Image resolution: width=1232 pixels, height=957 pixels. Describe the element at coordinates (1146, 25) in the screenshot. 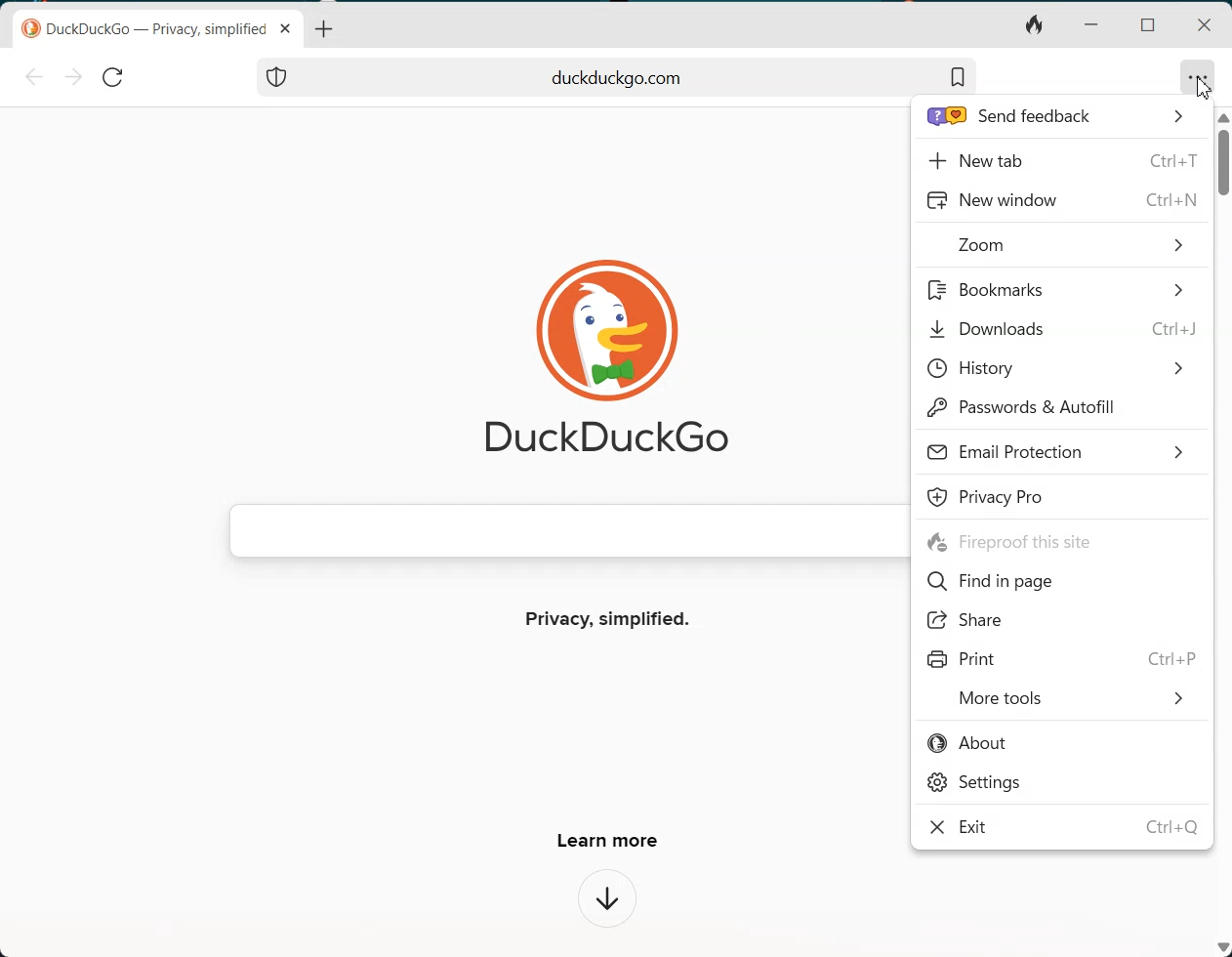

I see `Maximize` at that location.